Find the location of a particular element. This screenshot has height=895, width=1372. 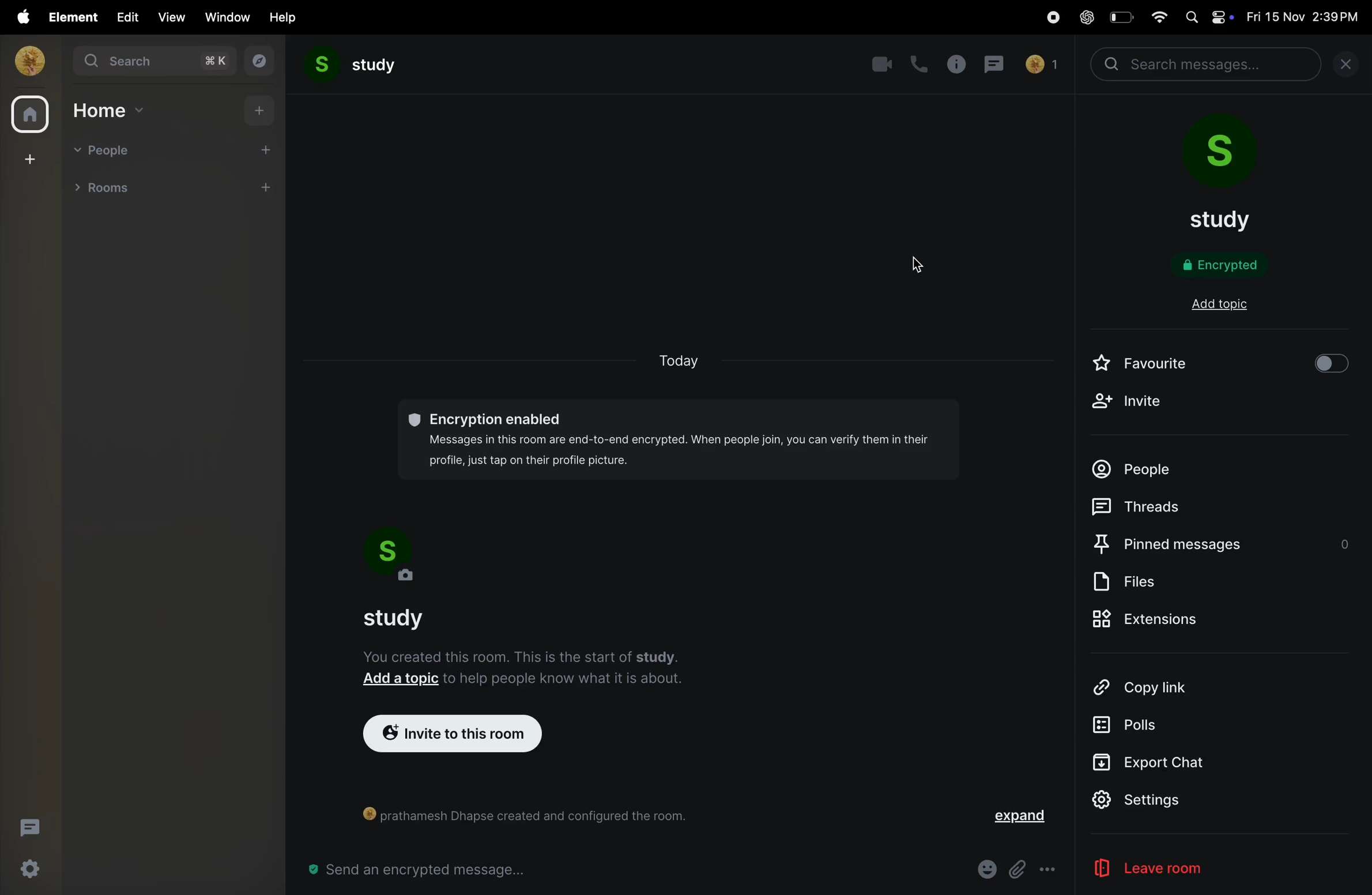

quick settings is located at coordinates (25, 871).